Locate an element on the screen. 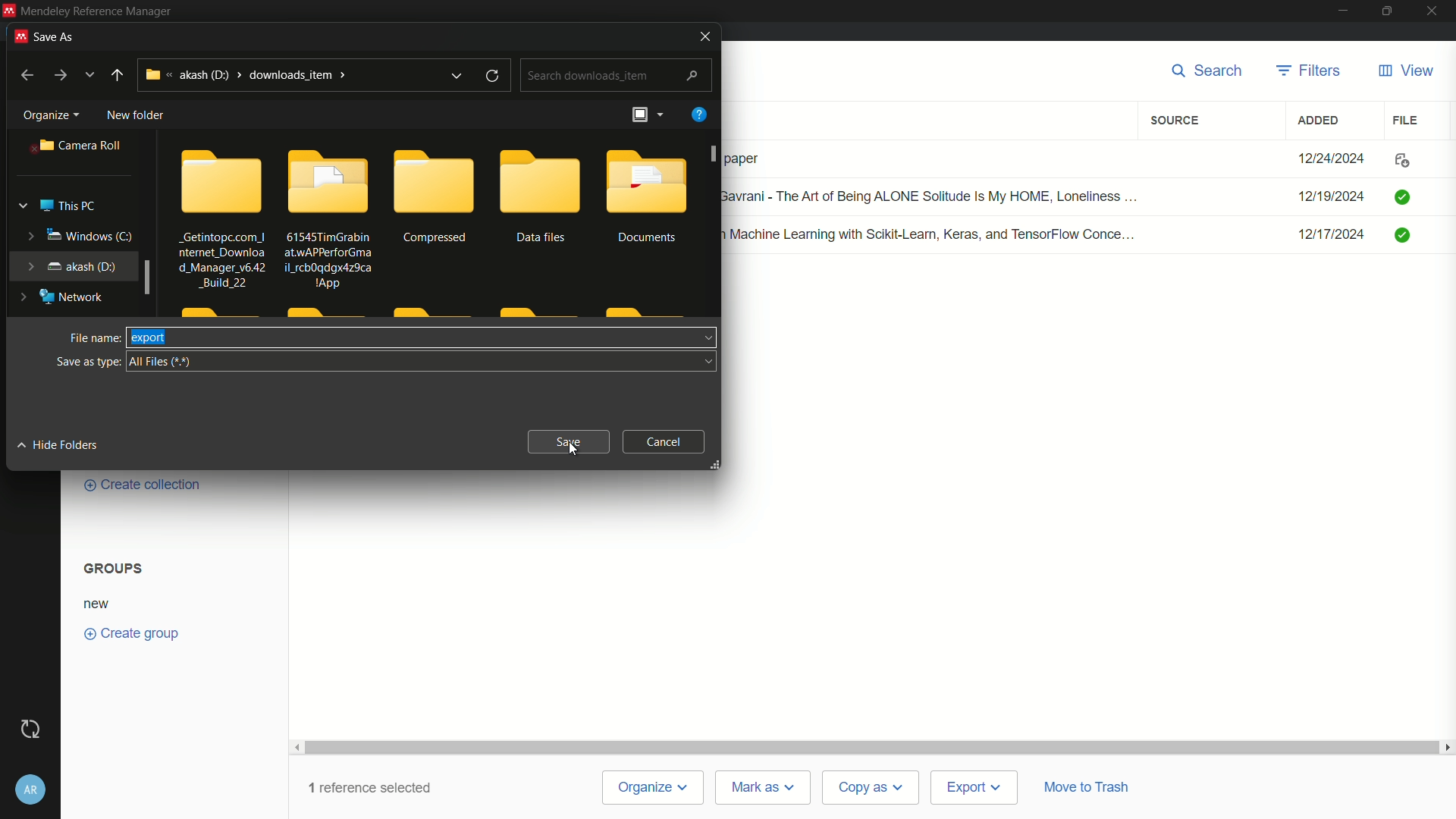  new folder is located at coordinates (136, 116).